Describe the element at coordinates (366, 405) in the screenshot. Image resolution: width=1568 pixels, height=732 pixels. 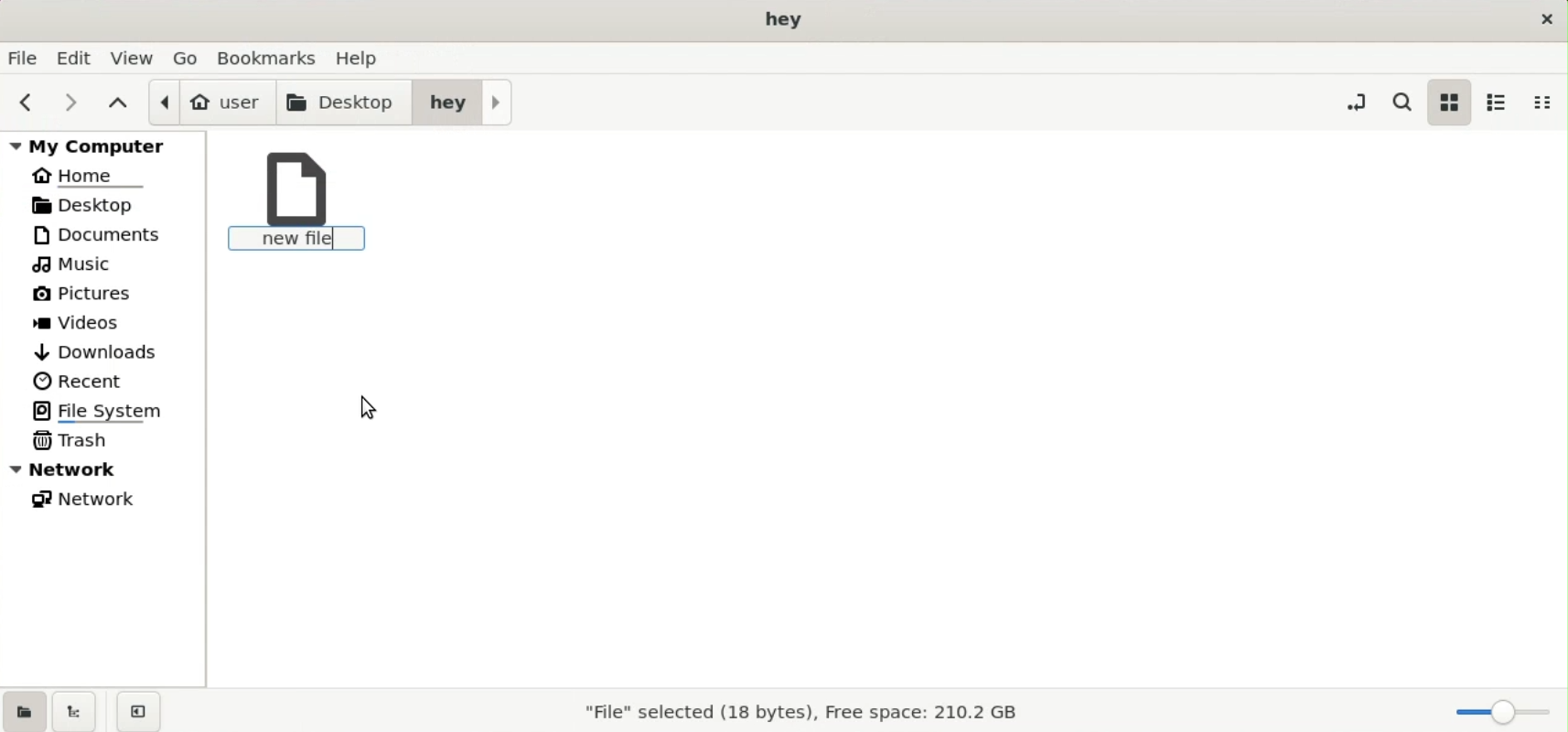
I see `cursor` at that location.